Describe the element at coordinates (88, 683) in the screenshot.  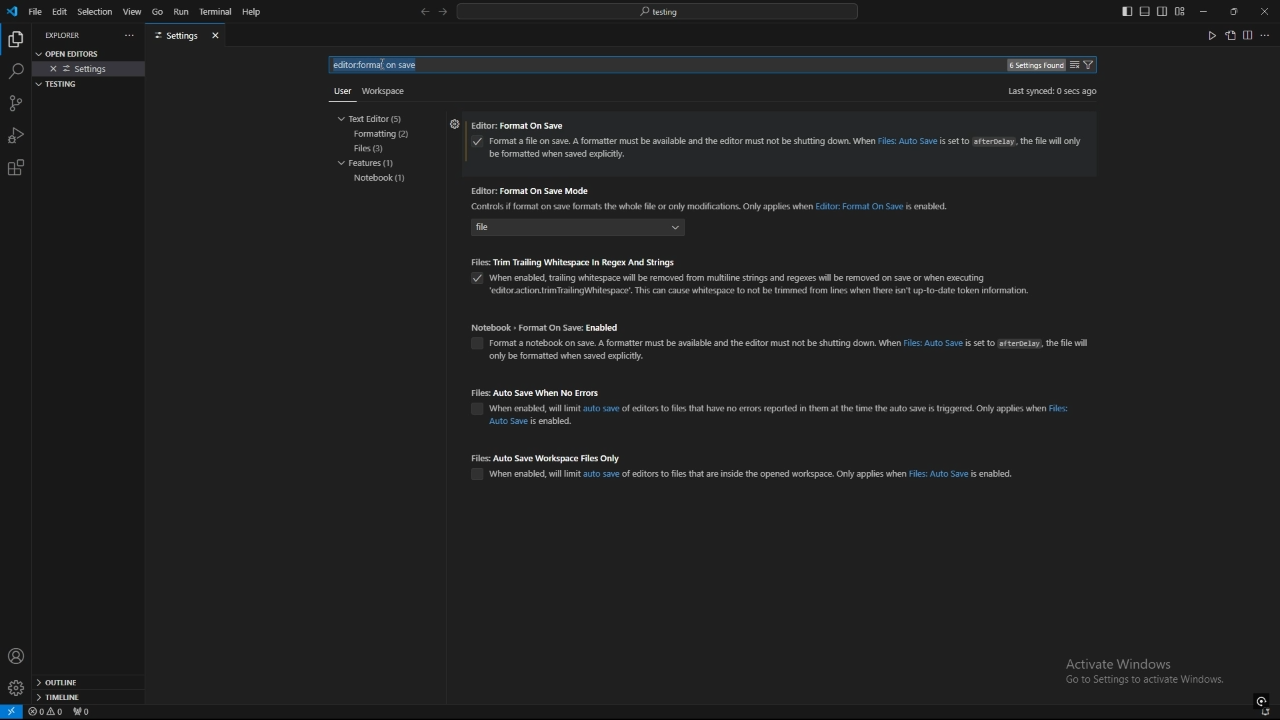
I see `outline` at that location.